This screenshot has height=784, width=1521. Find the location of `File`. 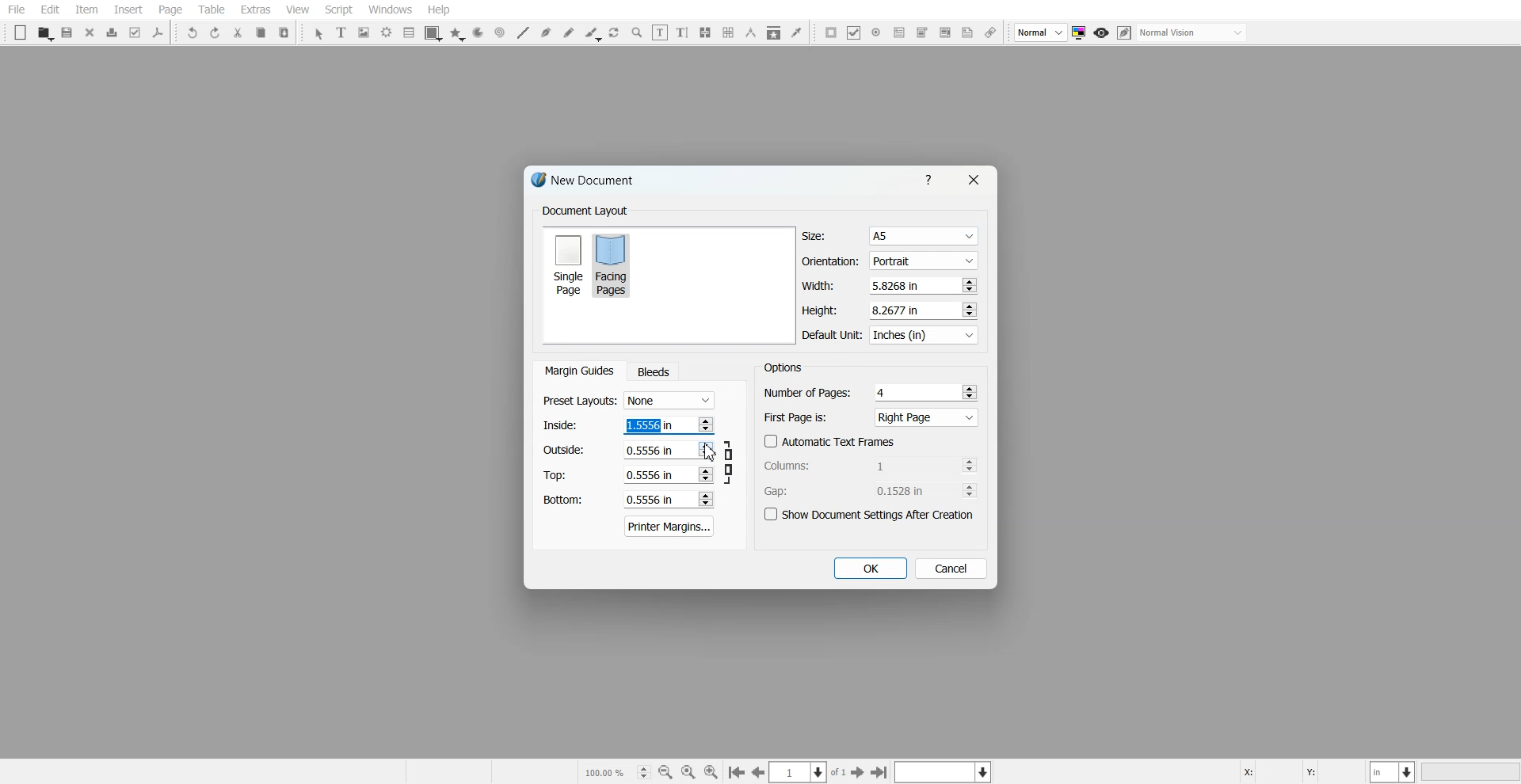

File is located at coordinates (17, 10).